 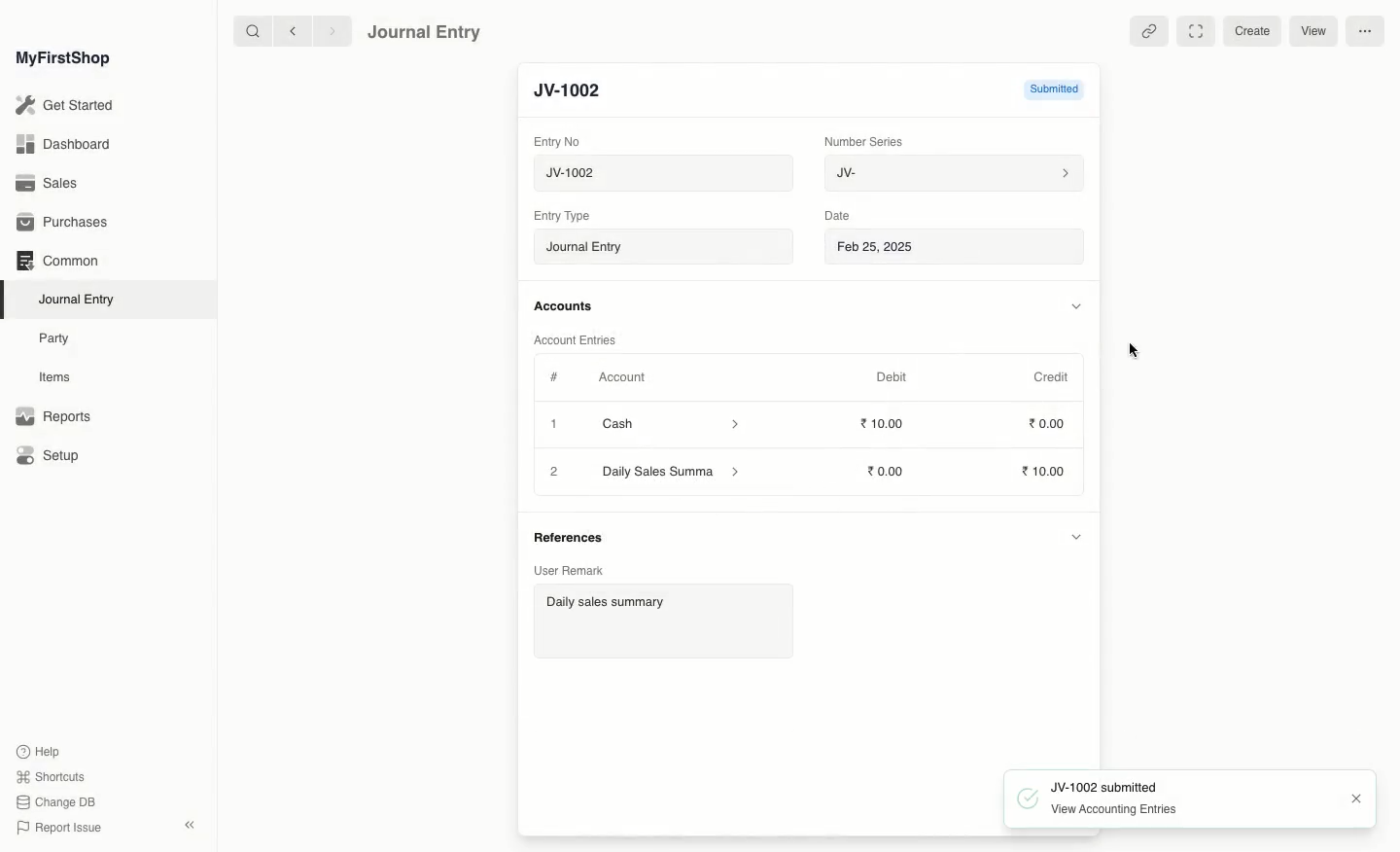 I want to click on View linked entries, so click(x=1148, y=31).